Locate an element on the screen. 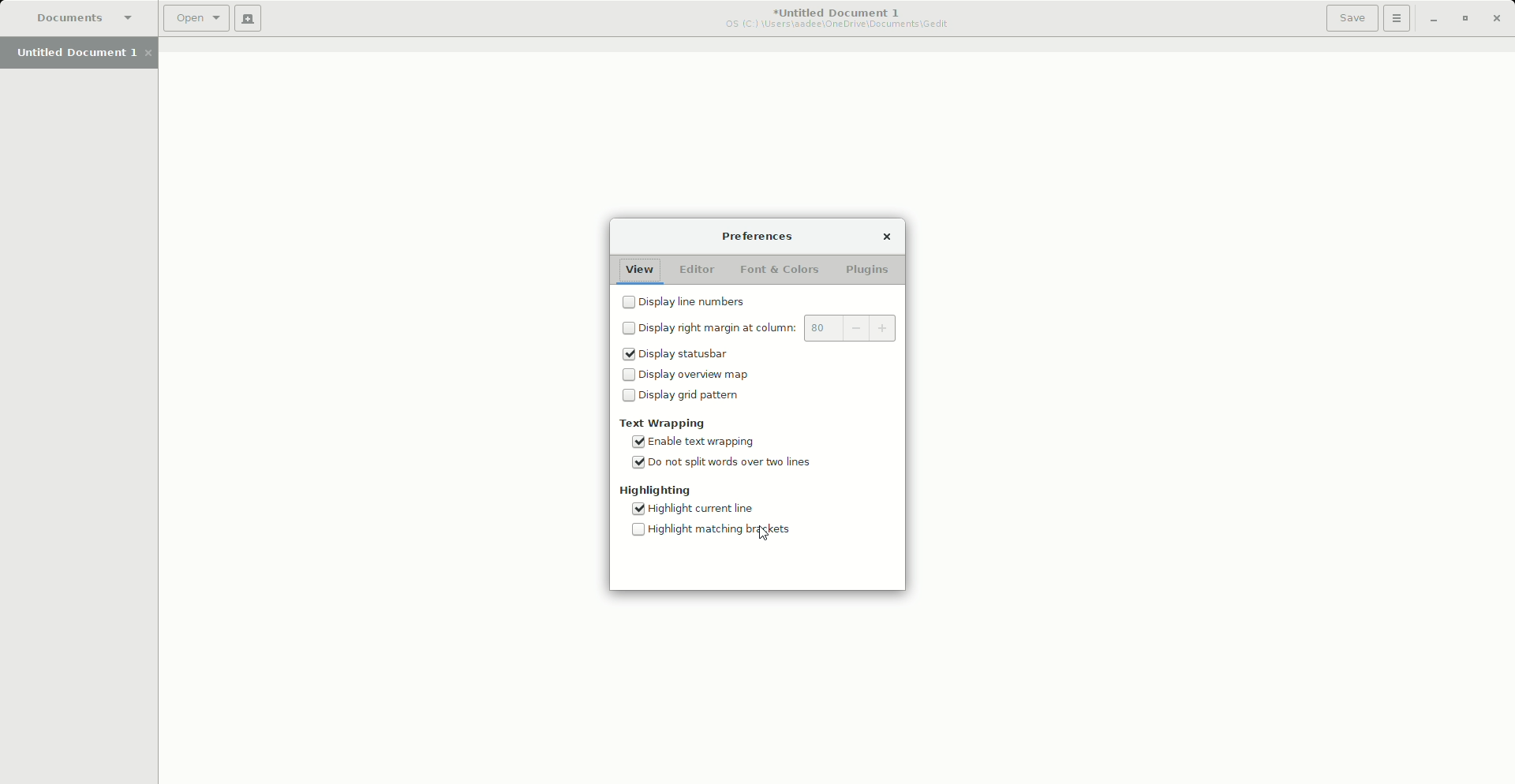 The image size is (1515, 784). Untitled Document 1 is located at coordinates (79, 54).